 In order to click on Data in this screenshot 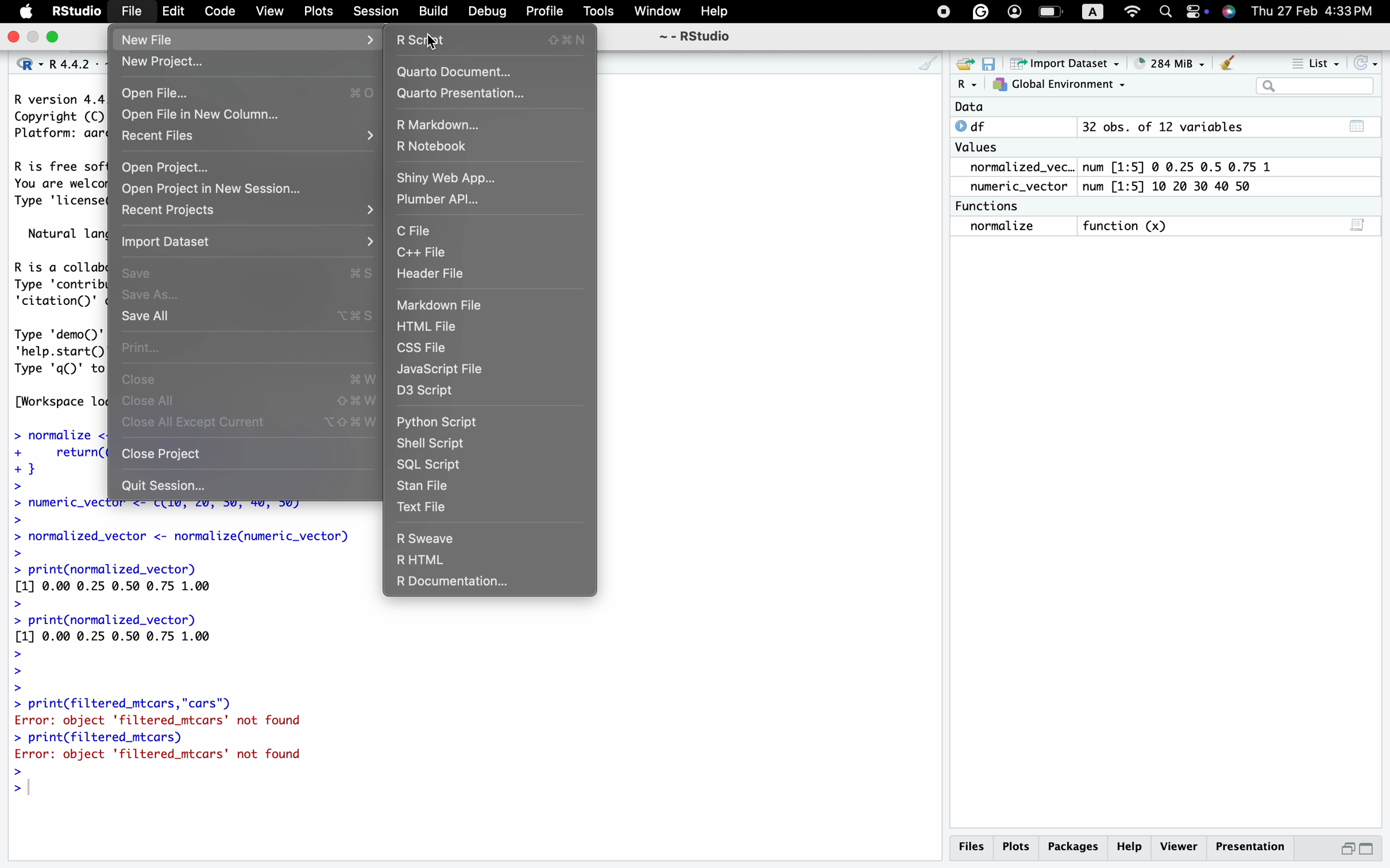, I will do `click(969, 107)`.